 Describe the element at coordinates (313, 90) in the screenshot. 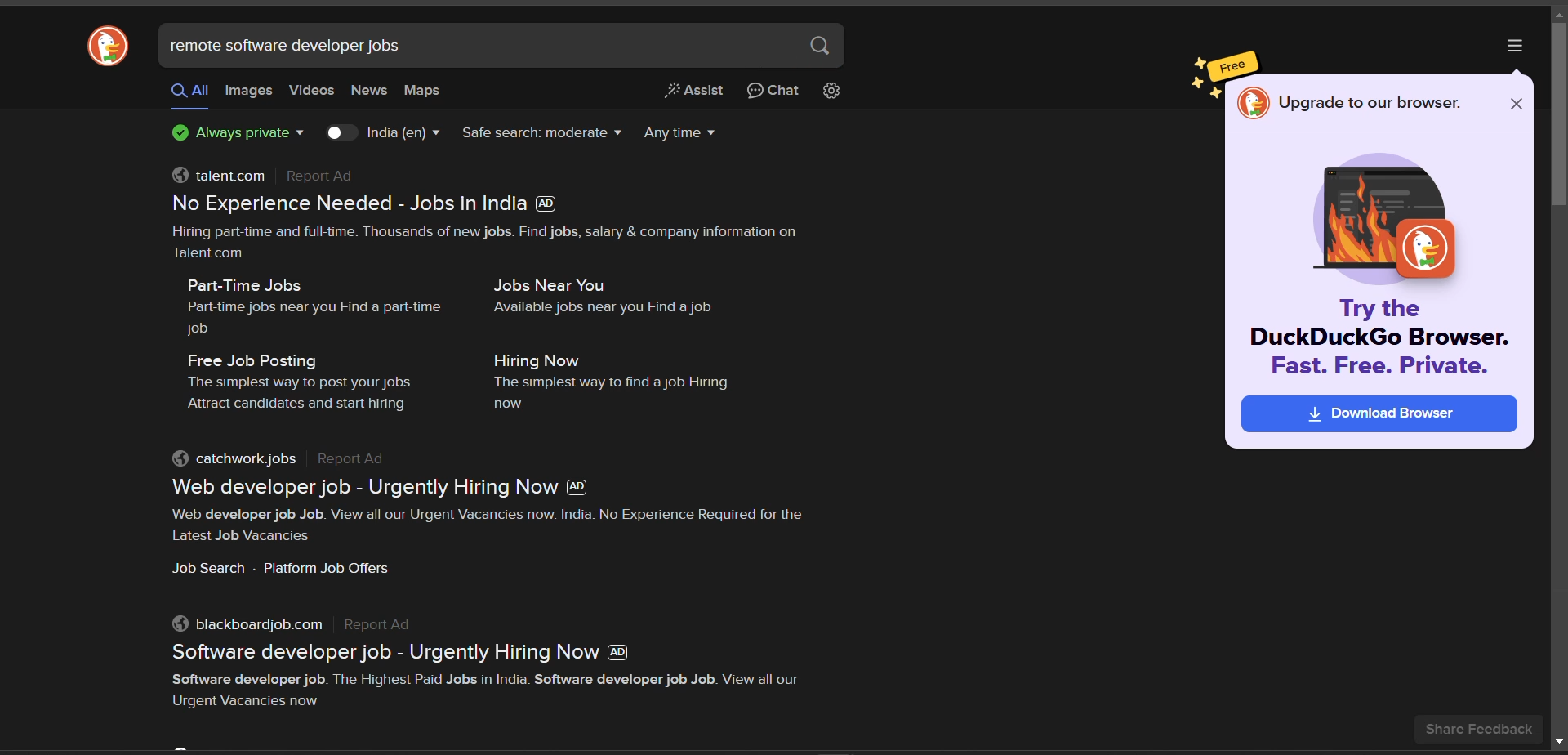

I see `videos` at that location.